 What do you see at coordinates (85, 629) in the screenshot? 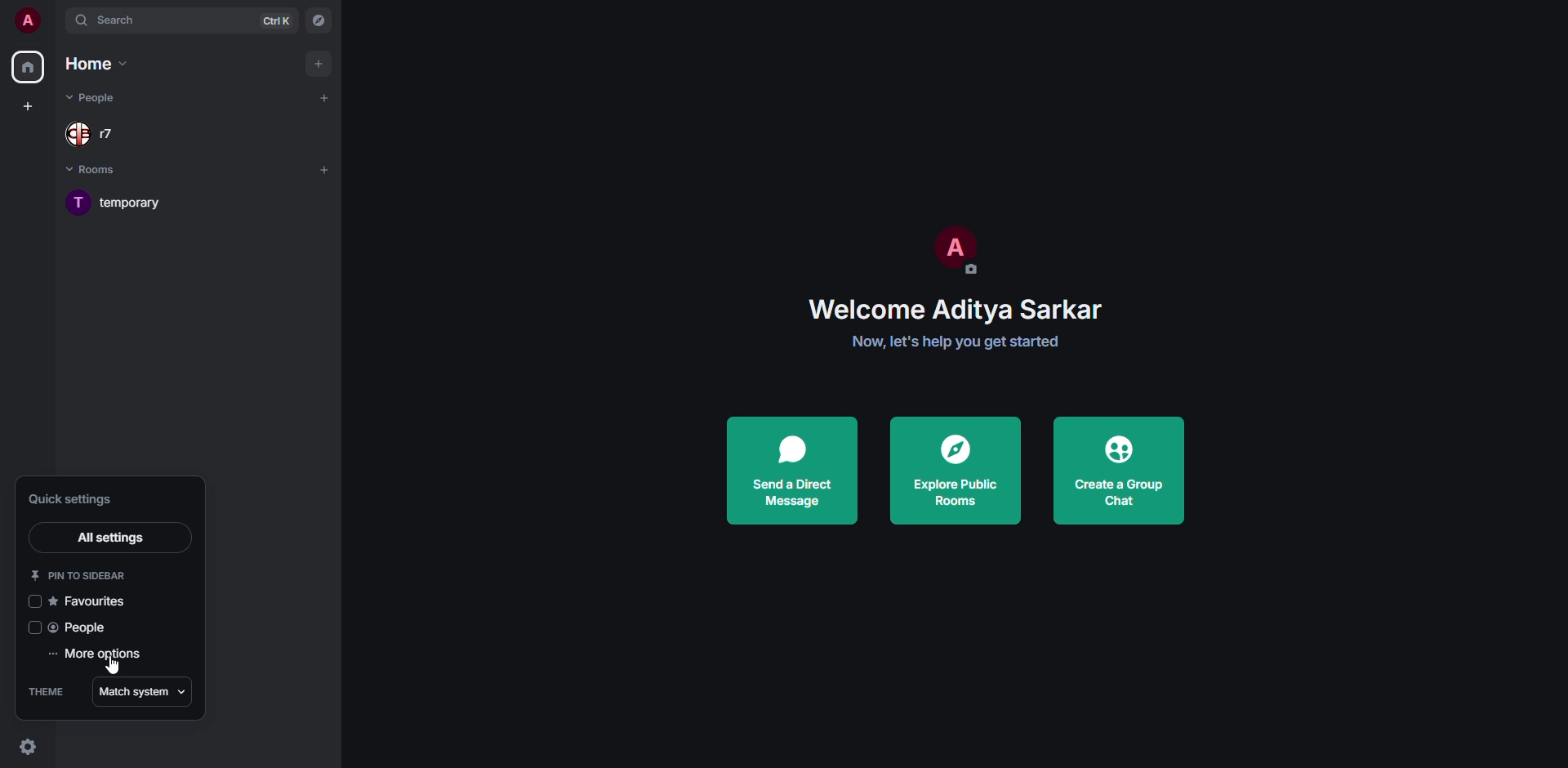
I see `people` at bounding box center [85, 629].